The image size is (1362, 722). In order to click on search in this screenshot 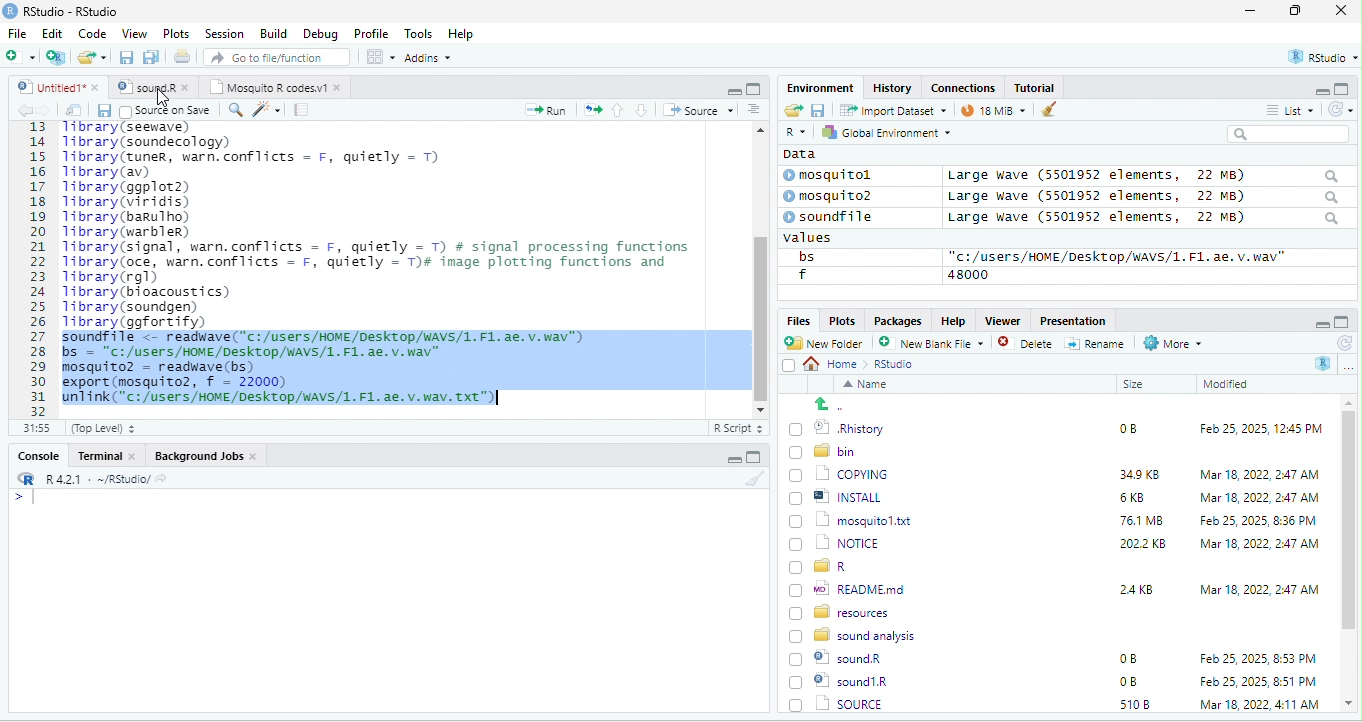, I will do `click(235, 108)`.